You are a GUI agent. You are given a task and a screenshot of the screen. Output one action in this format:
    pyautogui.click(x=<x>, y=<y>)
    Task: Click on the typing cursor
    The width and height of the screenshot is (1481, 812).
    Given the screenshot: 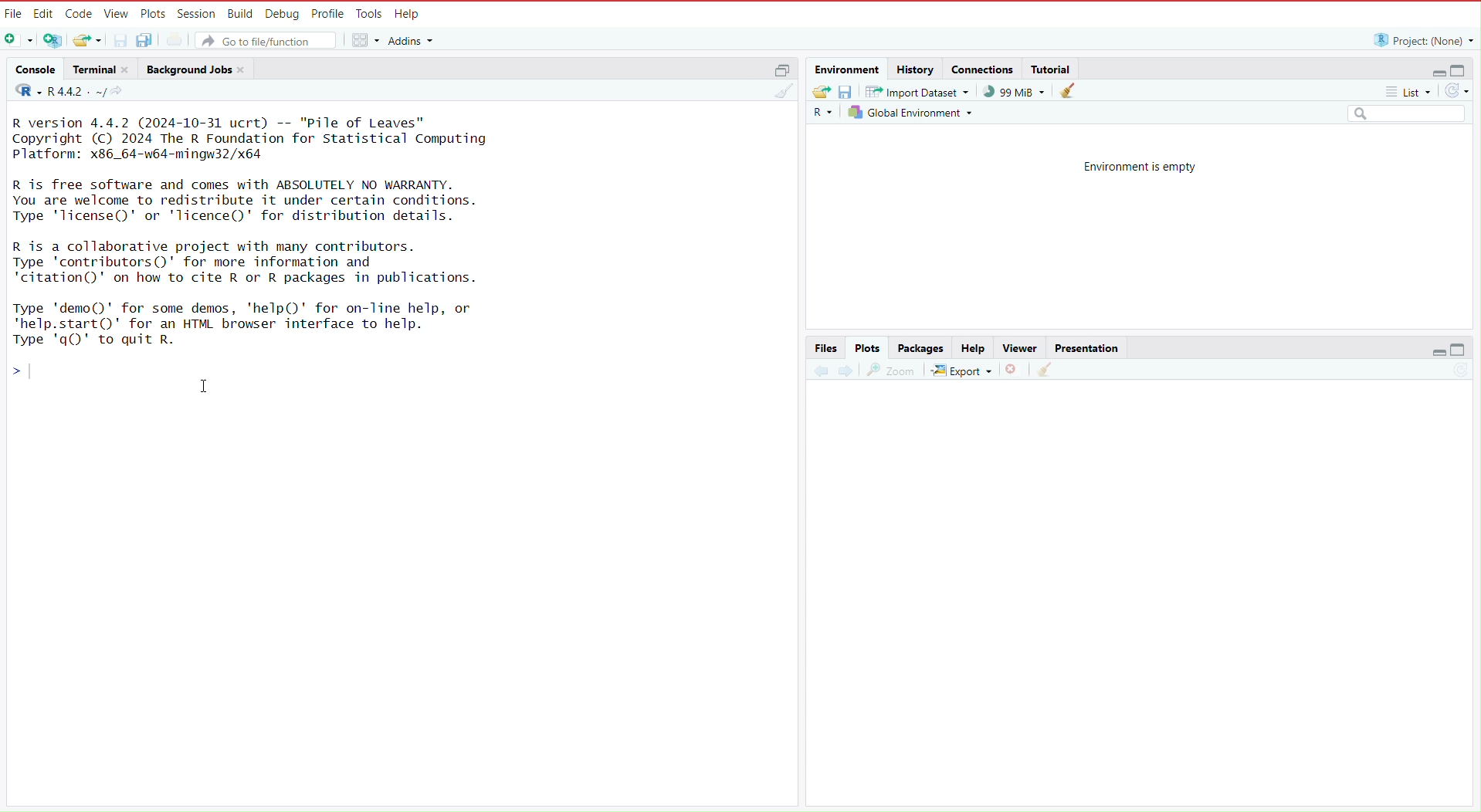 What is the action you would take?
    pyautogui.click(x=36, y=371)
    